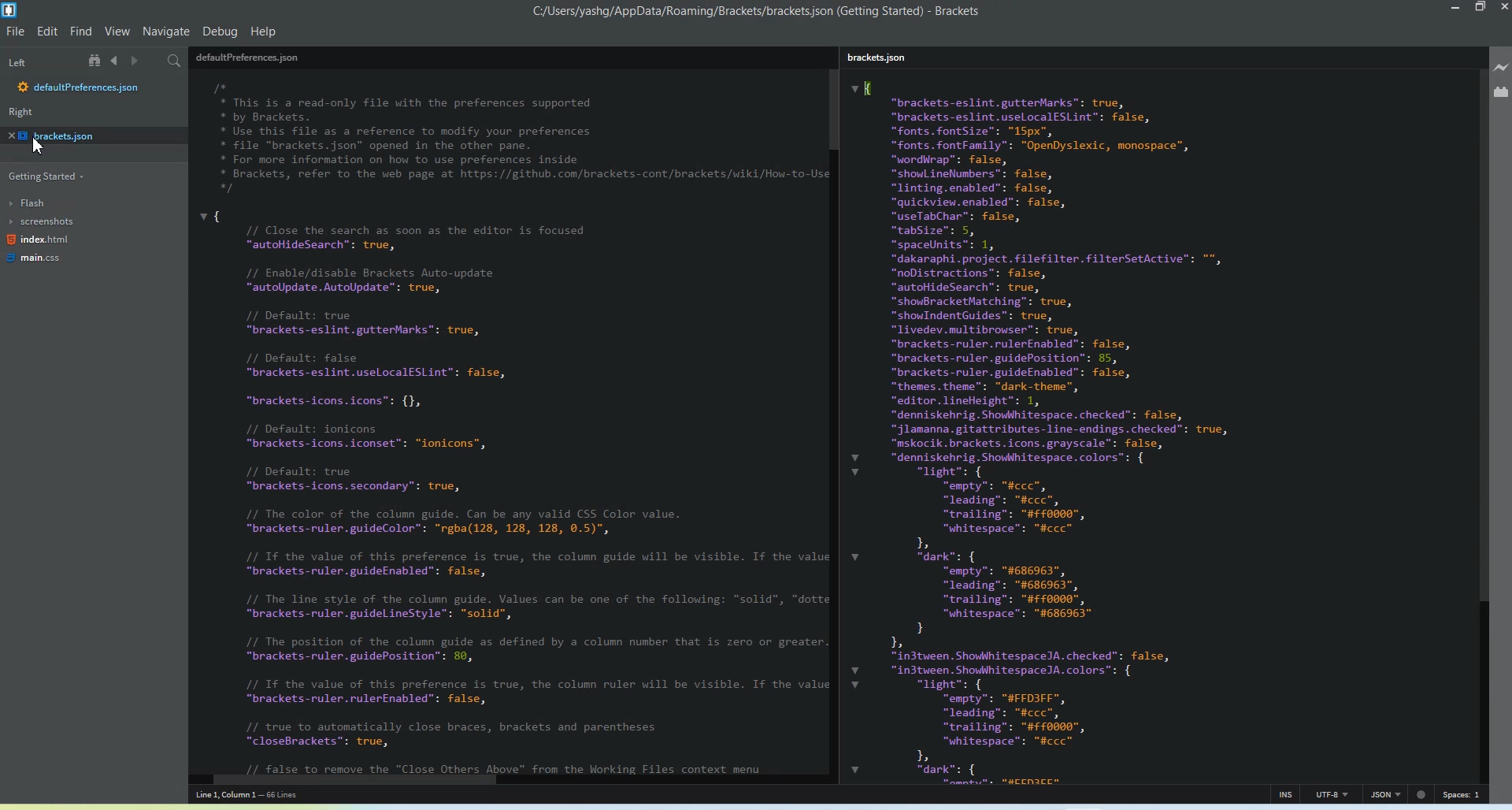 Image resolution: width=1512 pixels, height=810 pixels. What do you see at coordinates (1423, 793) in the screenshot?
I see `errors` at bounding box center [1423, 793].